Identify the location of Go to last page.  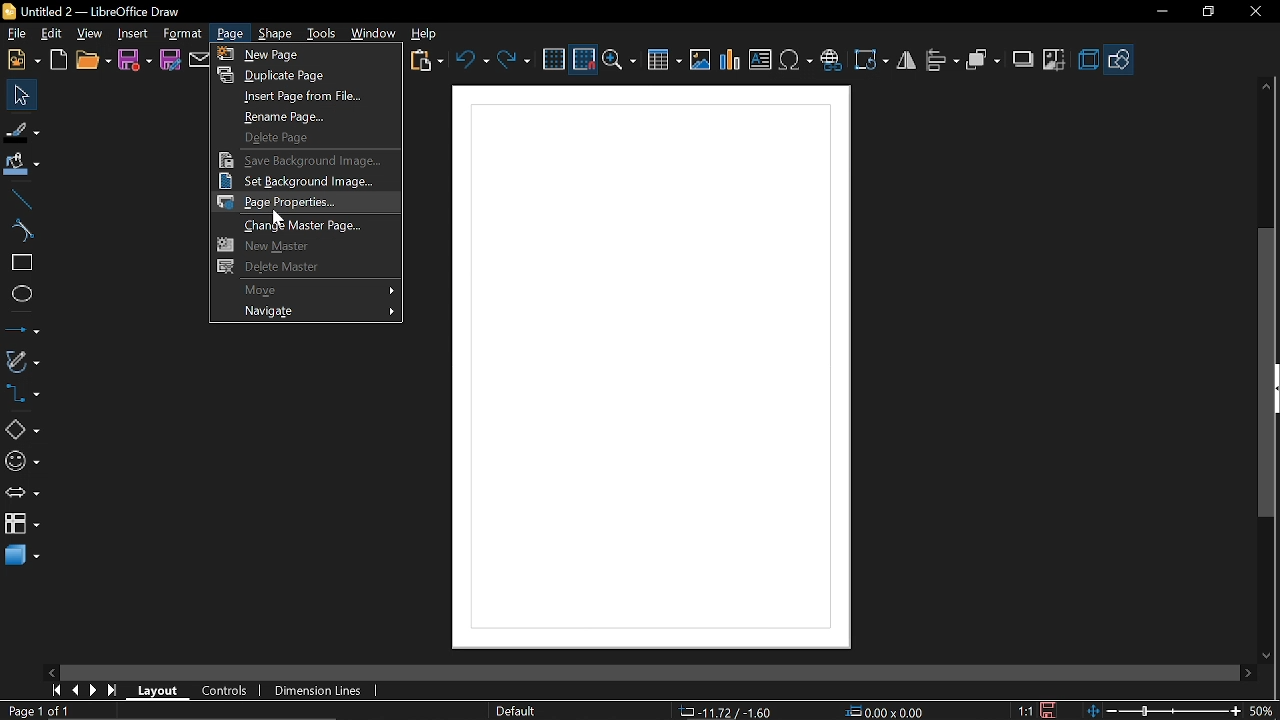
(115, 691).